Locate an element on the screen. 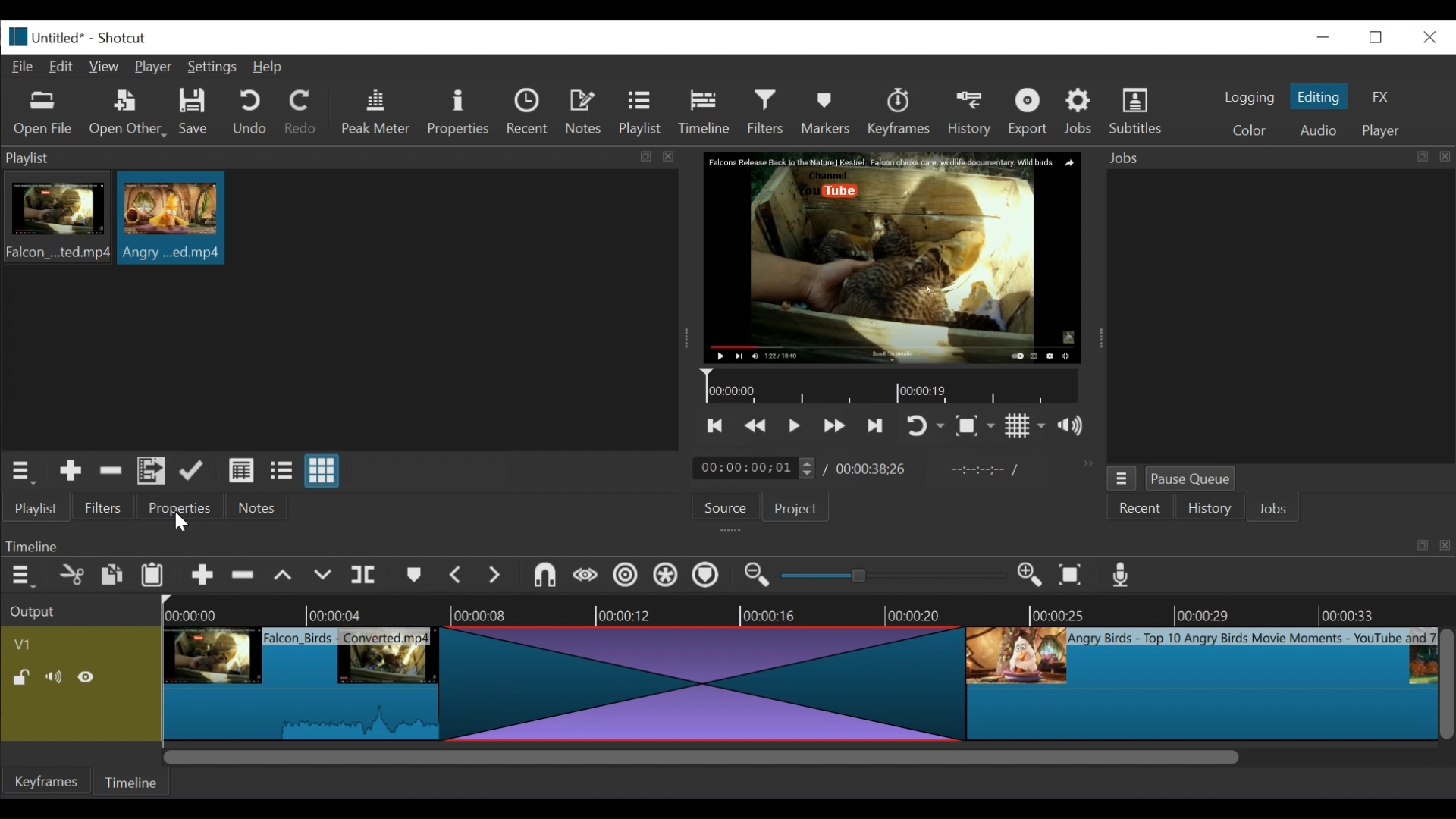 The height and width of the screenshot is (819, 1456). Filters is located at coordinates (770, 112).